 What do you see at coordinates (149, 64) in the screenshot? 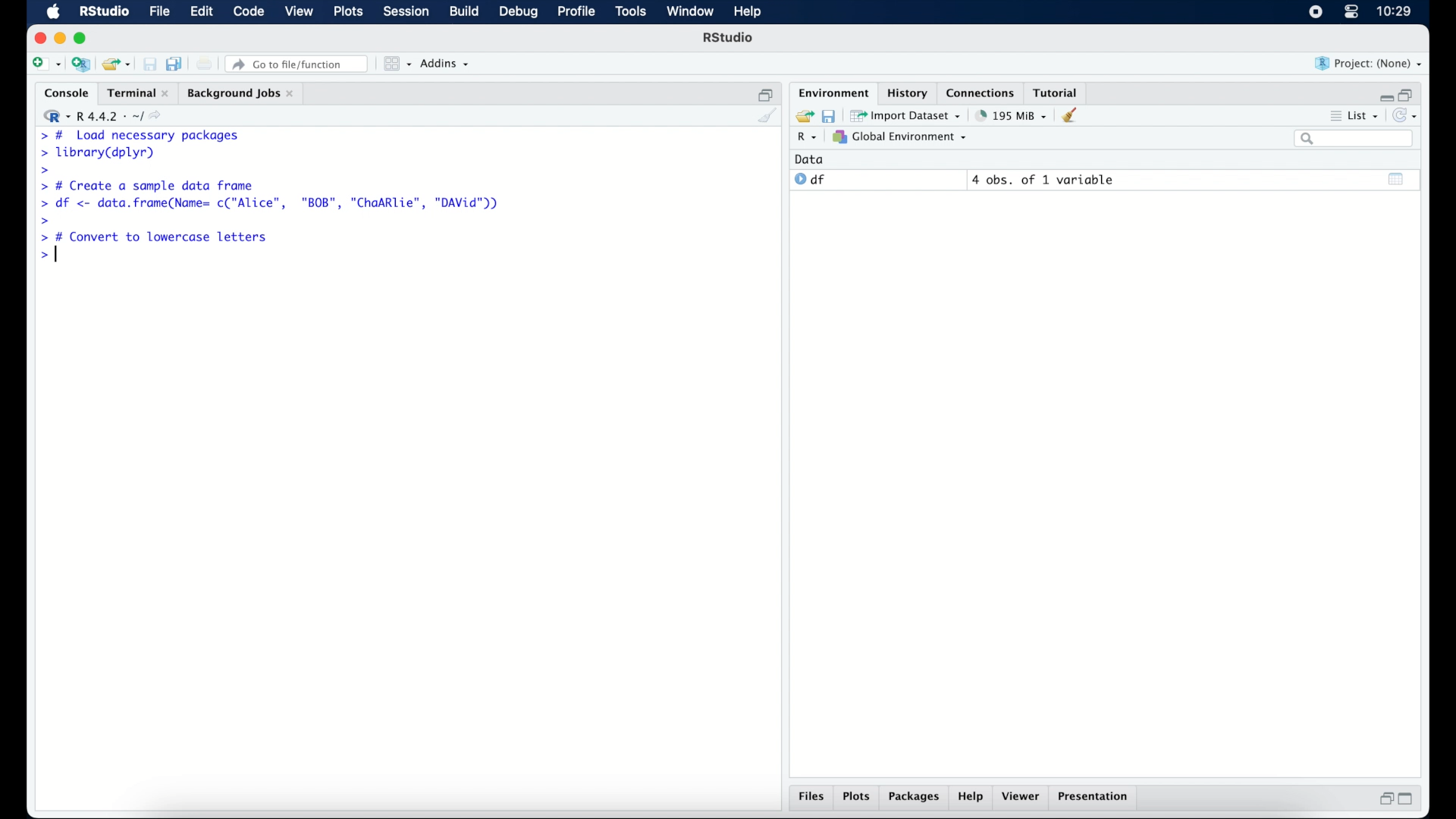
I see `save` at bounding box center [149, 64].